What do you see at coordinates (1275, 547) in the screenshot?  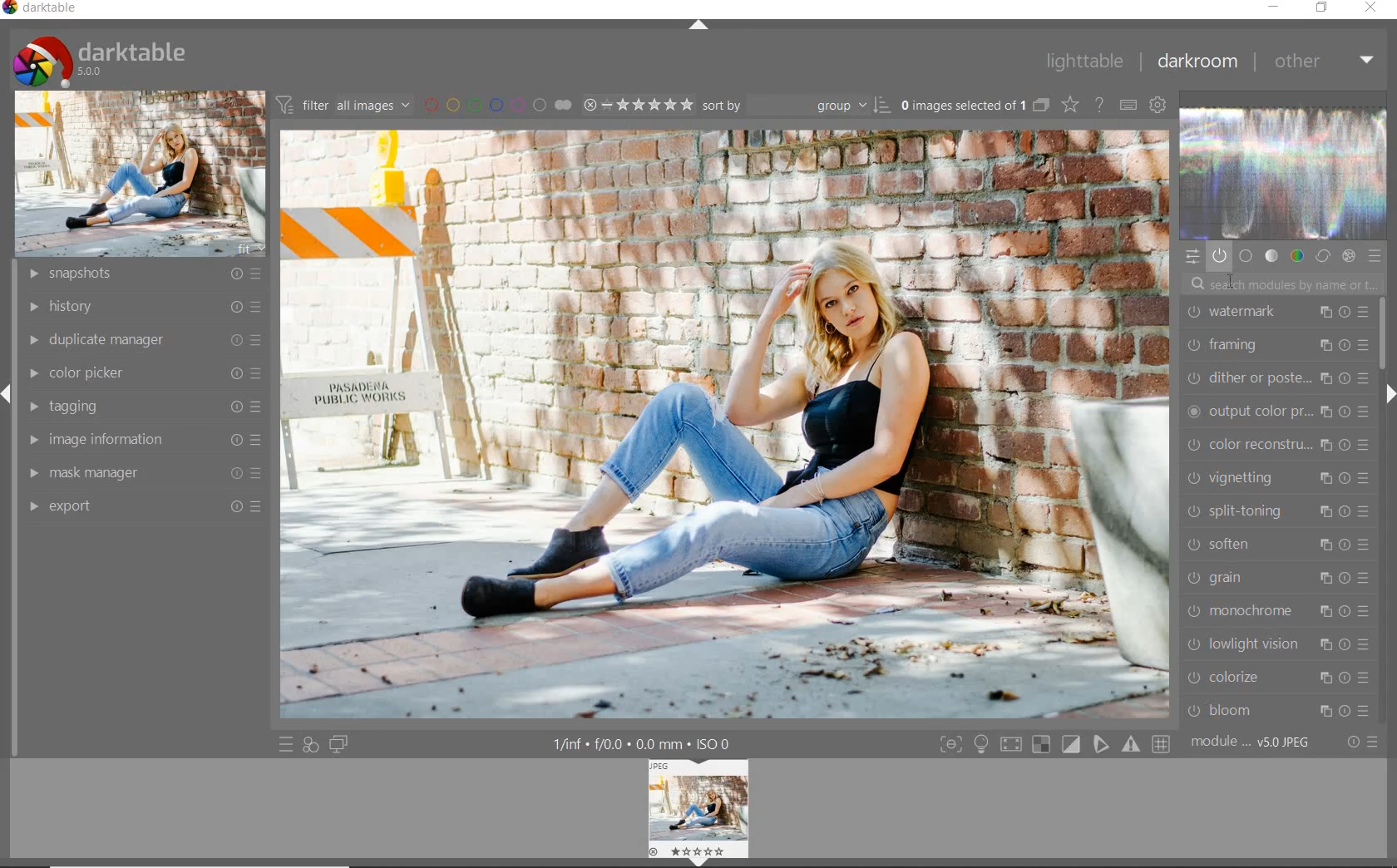 I see `soften` at bounding box center [1275, 547].